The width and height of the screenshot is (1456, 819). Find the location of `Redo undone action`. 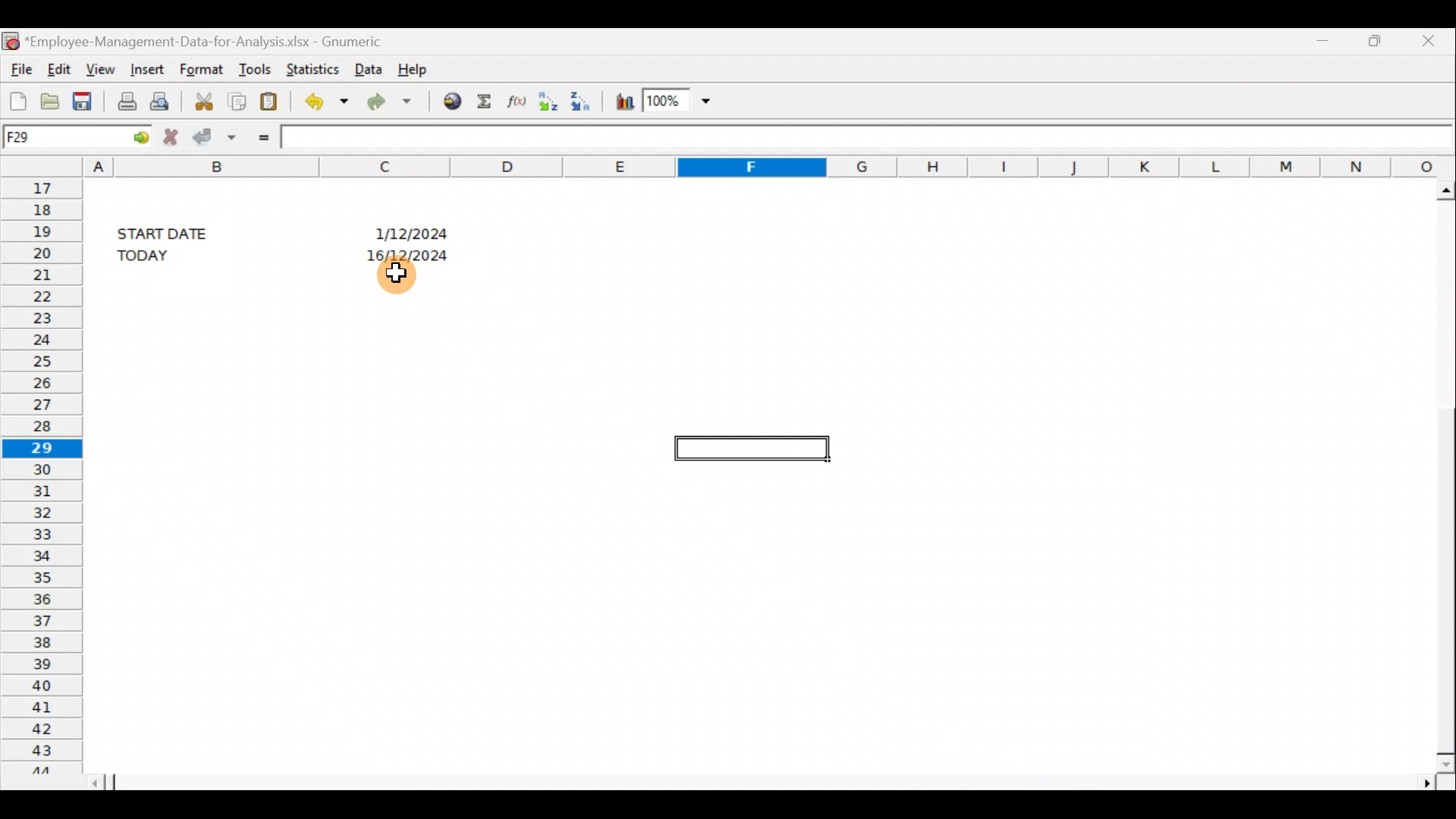

Redo undone action is located at coordinates (386, 101).